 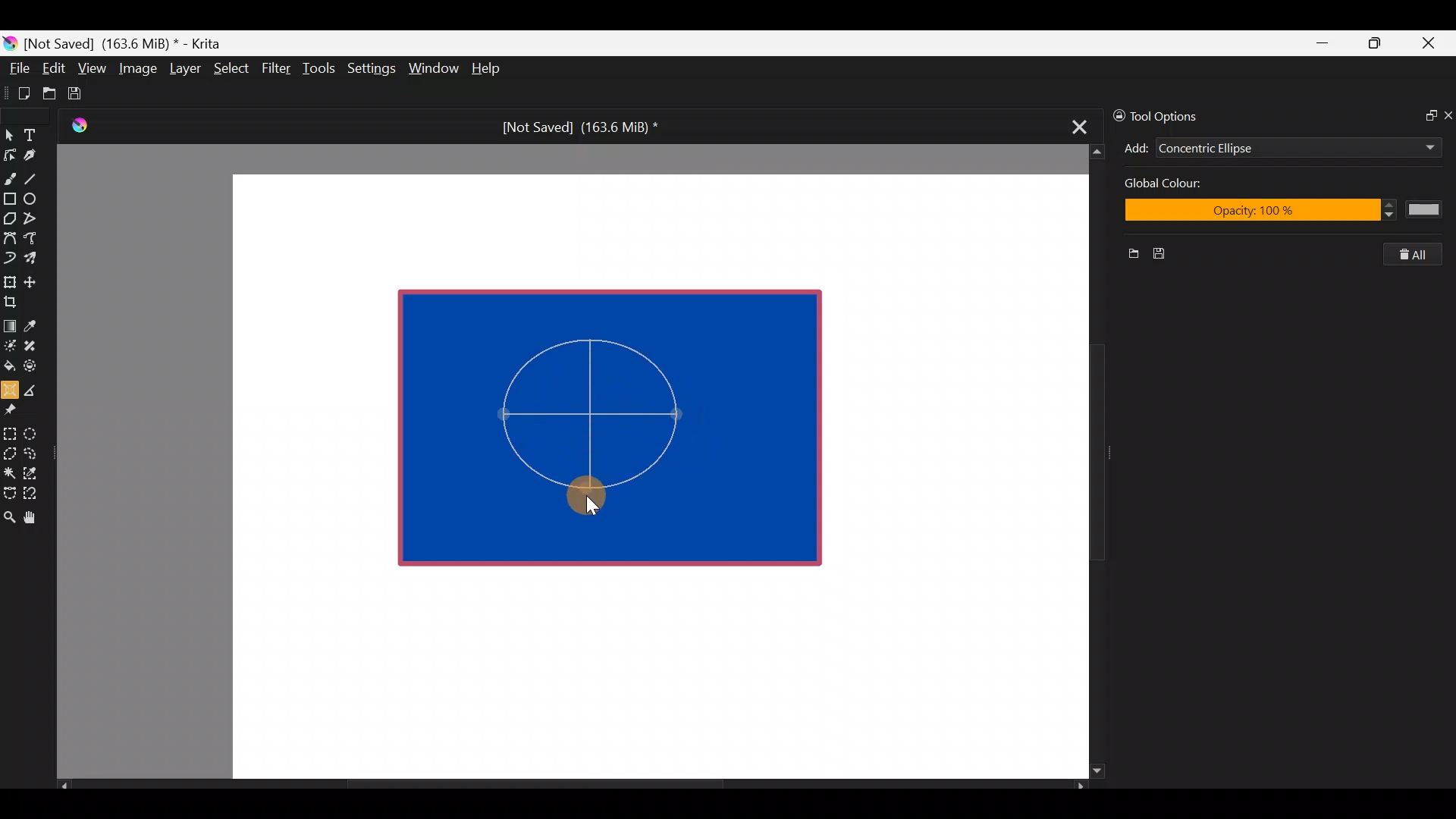 What do you see at coordinates (77, 125) in the screenshot?
I see `Krita Logo` at bounding box center [77, 125].